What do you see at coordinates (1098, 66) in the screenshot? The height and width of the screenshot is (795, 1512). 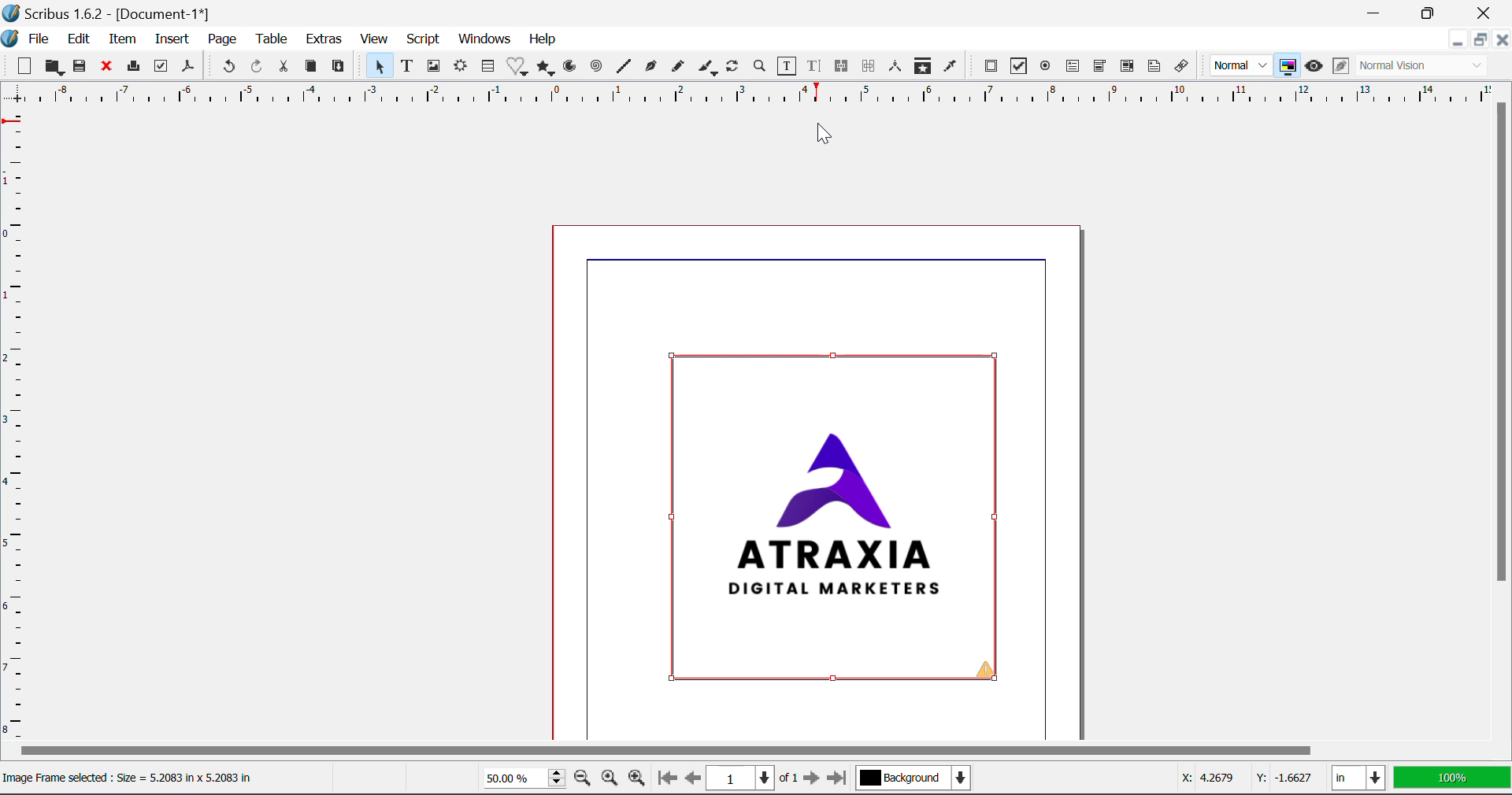 I see `Pdf Combo Box` at bounding box center [1098, 66].